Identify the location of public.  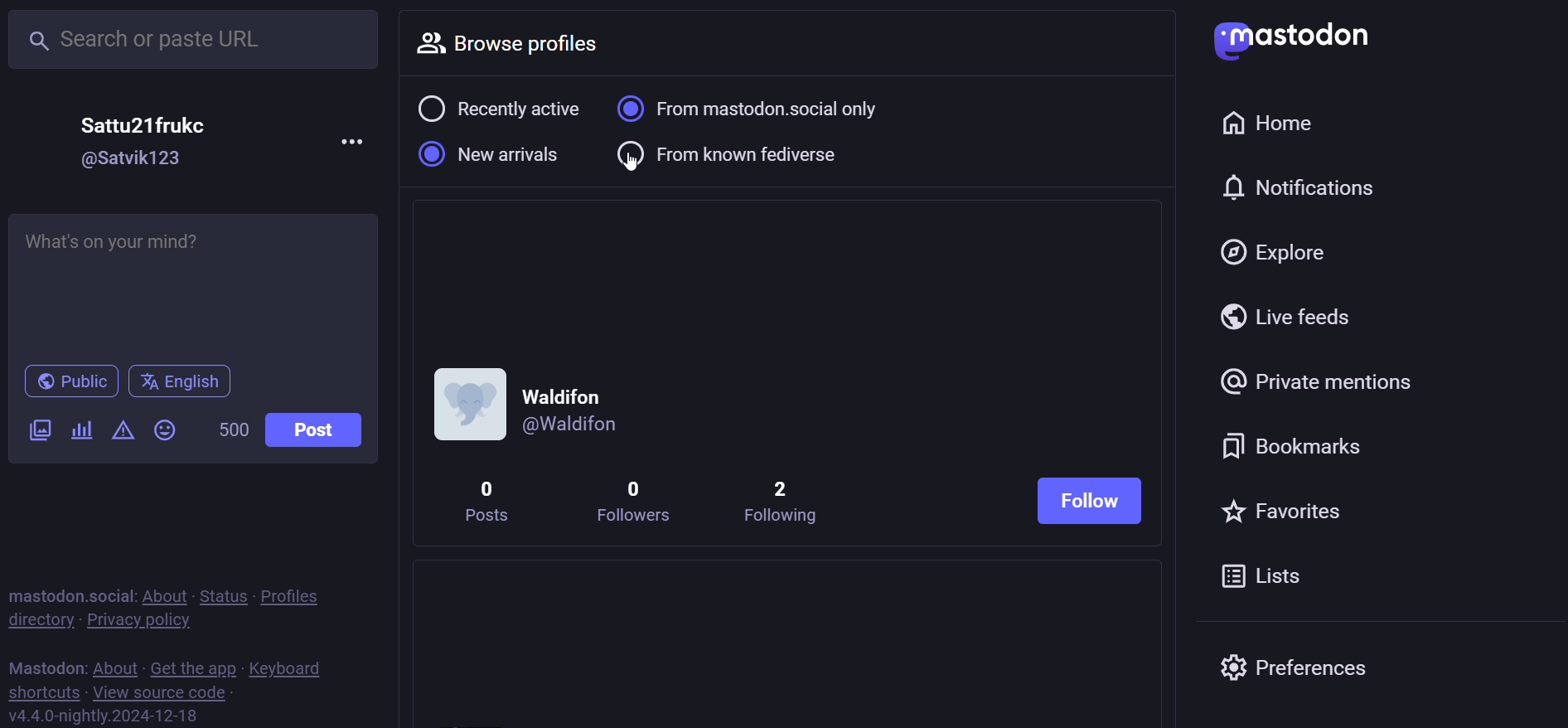
(70, 384).